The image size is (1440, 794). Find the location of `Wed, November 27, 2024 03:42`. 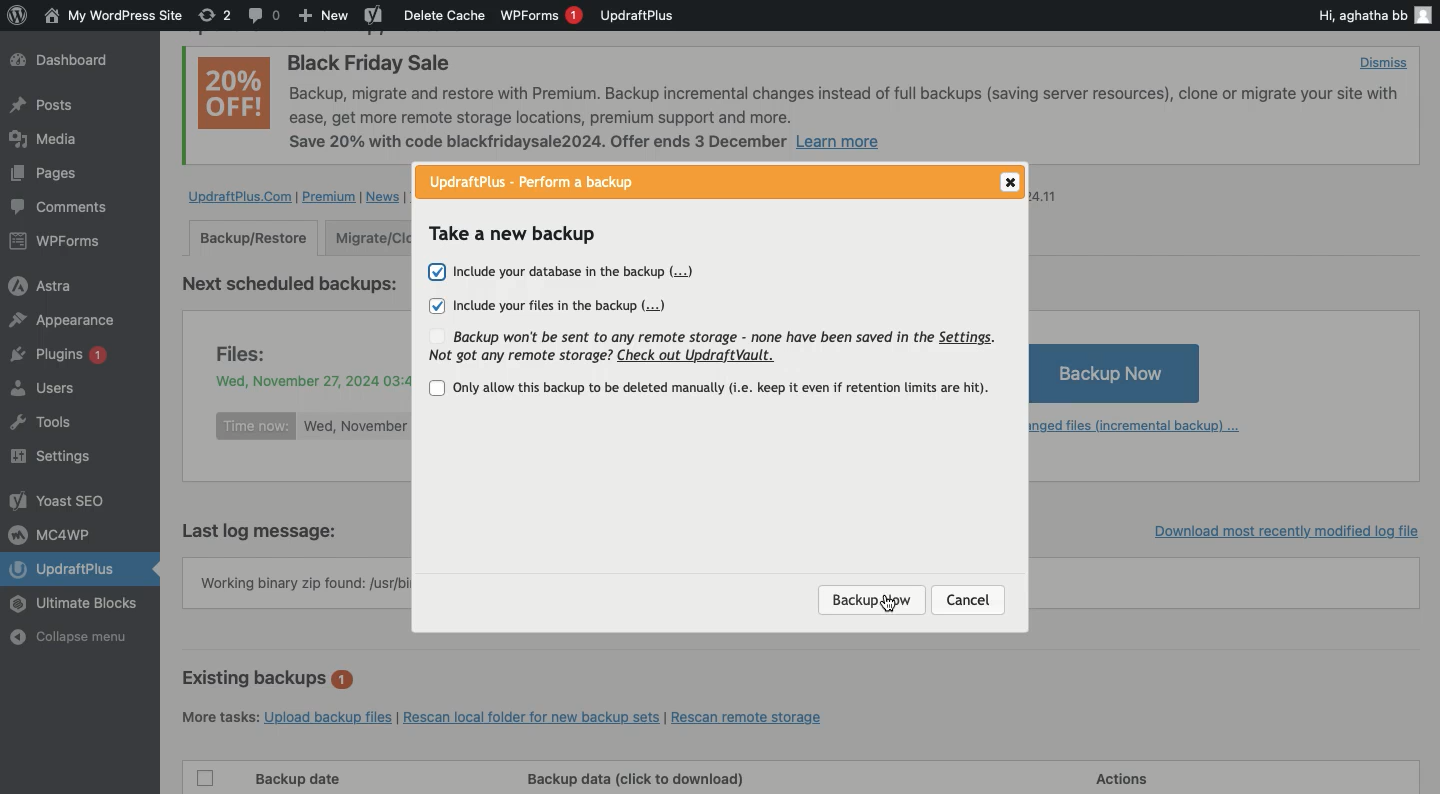

Wed, November 27, 2024 03:42 is located at coordinates (310, 378).